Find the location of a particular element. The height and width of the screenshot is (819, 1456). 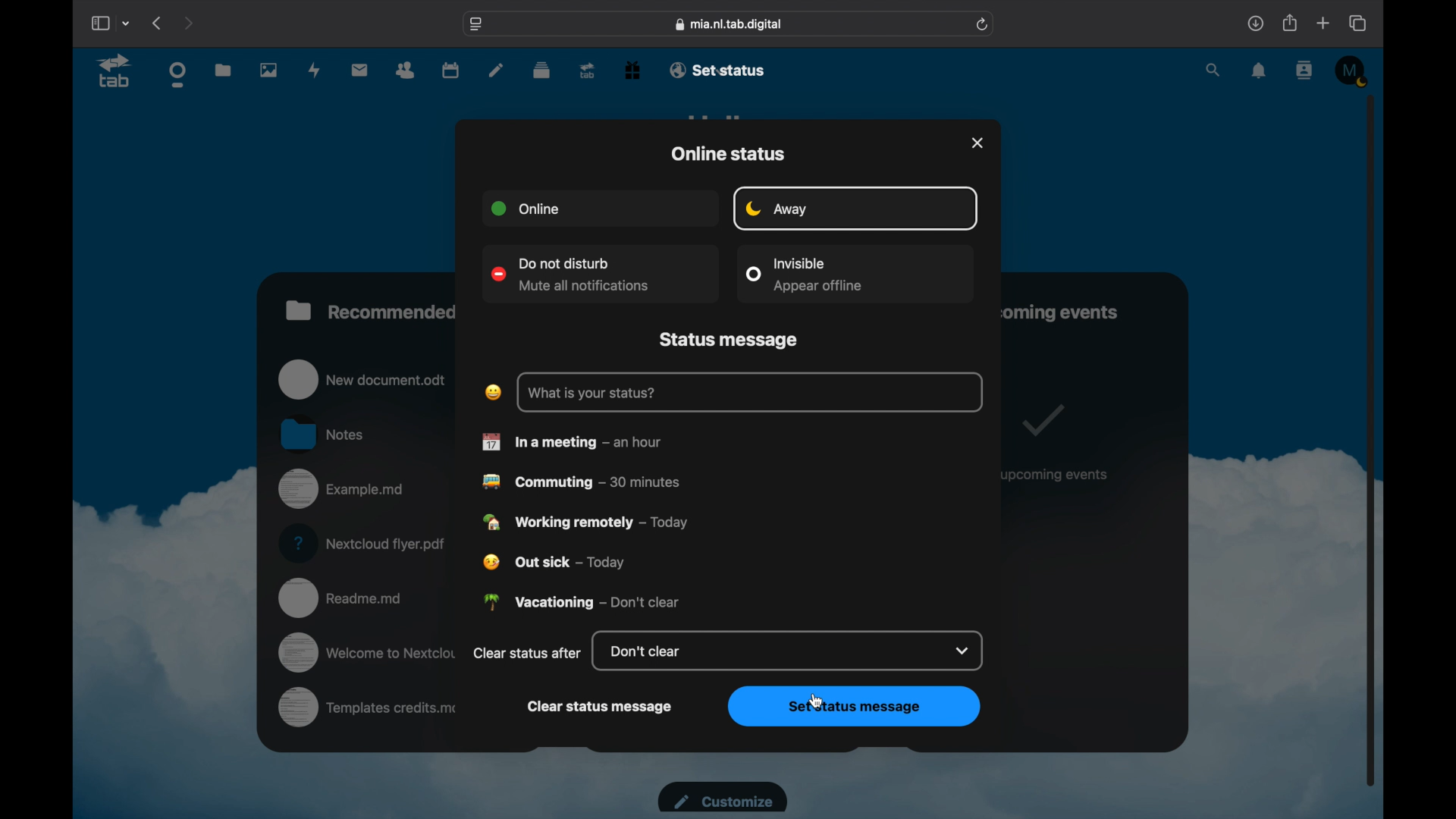

customize is located at coordinates (723, 797).